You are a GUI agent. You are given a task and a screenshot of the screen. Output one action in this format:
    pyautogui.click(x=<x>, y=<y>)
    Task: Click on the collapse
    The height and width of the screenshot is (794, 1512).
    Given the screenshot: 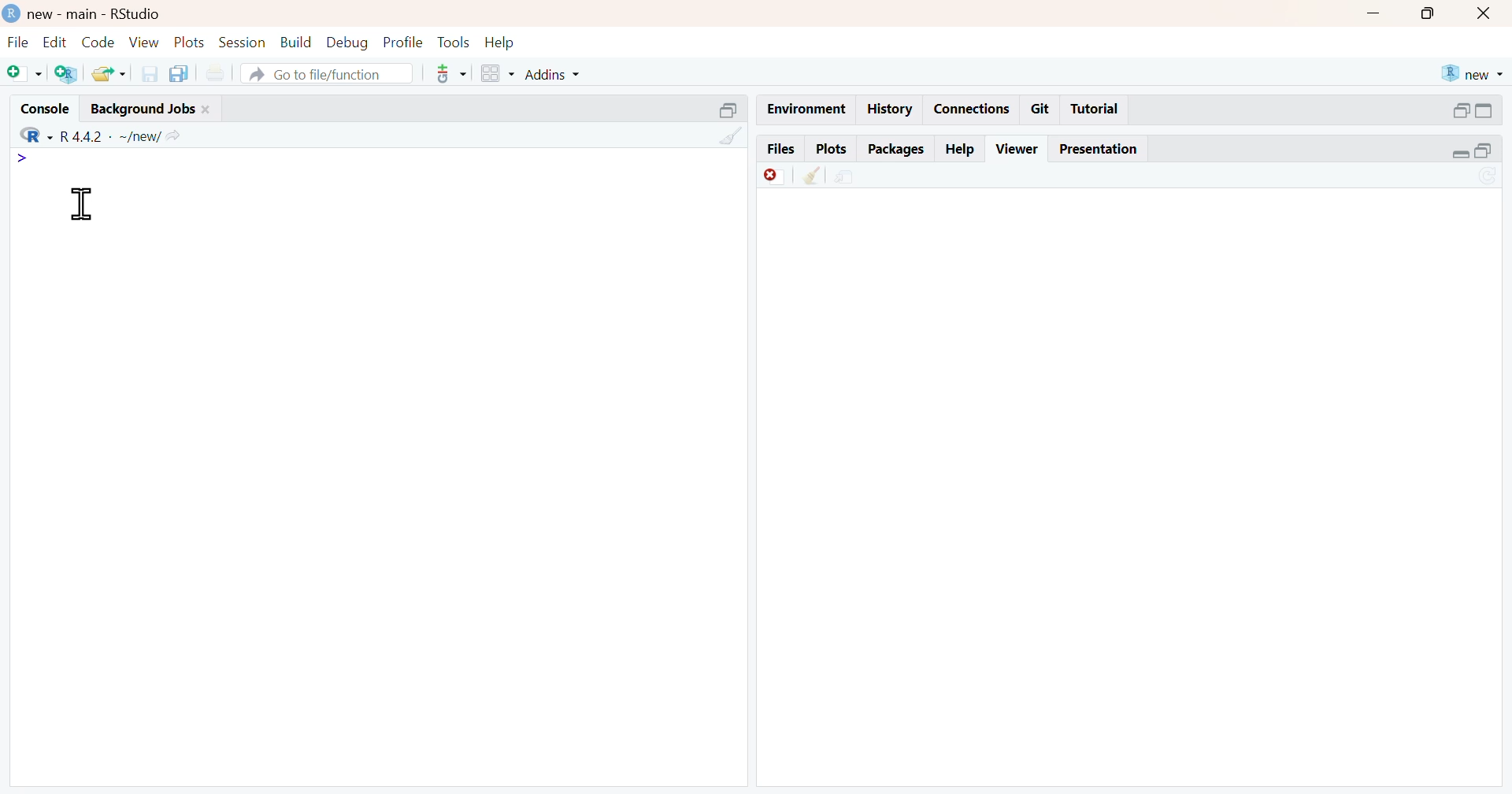 What is the action you would take?
    pyautogui.click(x=732, y=113)
    